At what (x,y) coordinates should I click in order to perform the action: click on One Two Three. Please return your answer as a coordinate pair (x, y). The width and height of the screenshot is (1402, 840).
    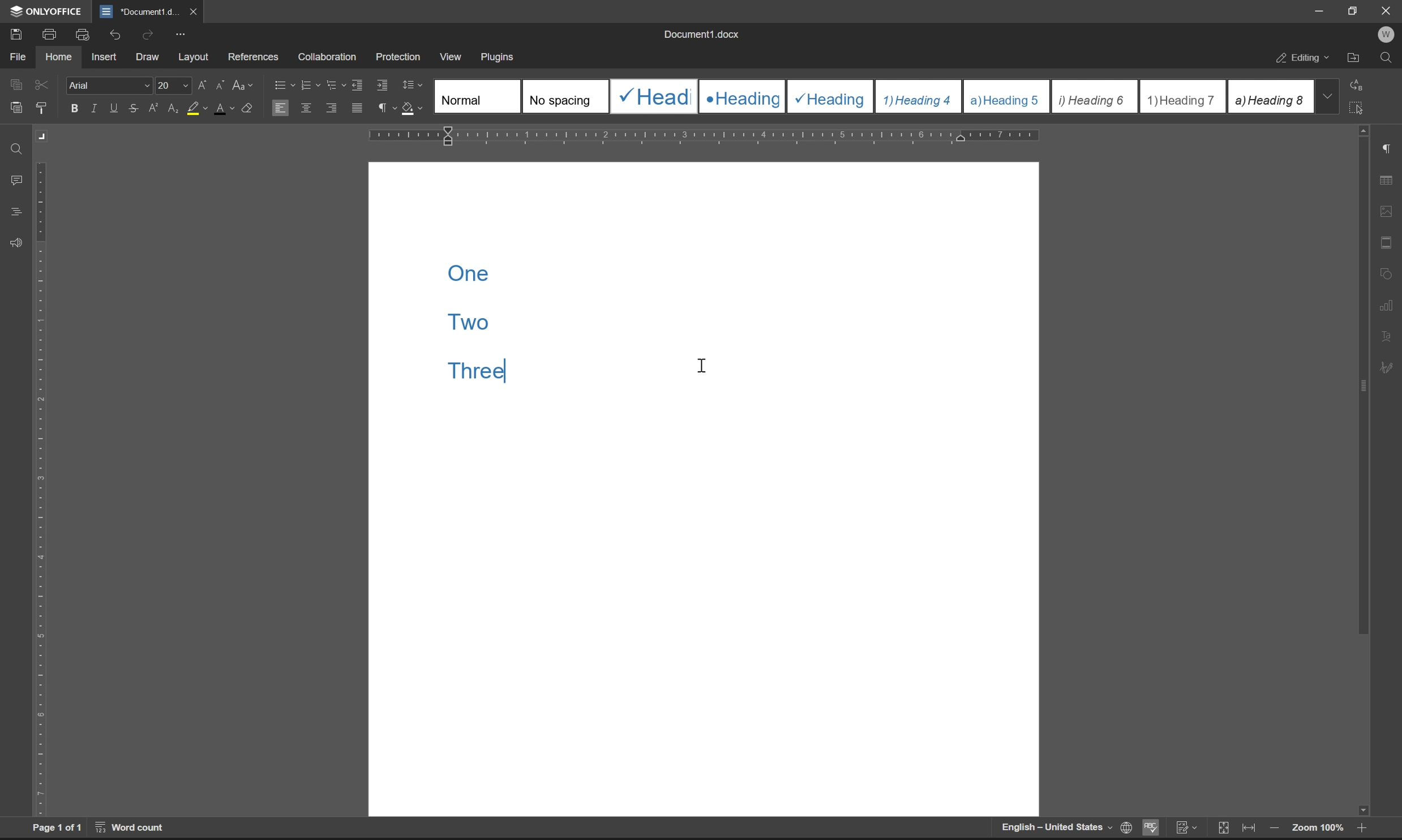
    Looking at the image, I should click on (488, 341).